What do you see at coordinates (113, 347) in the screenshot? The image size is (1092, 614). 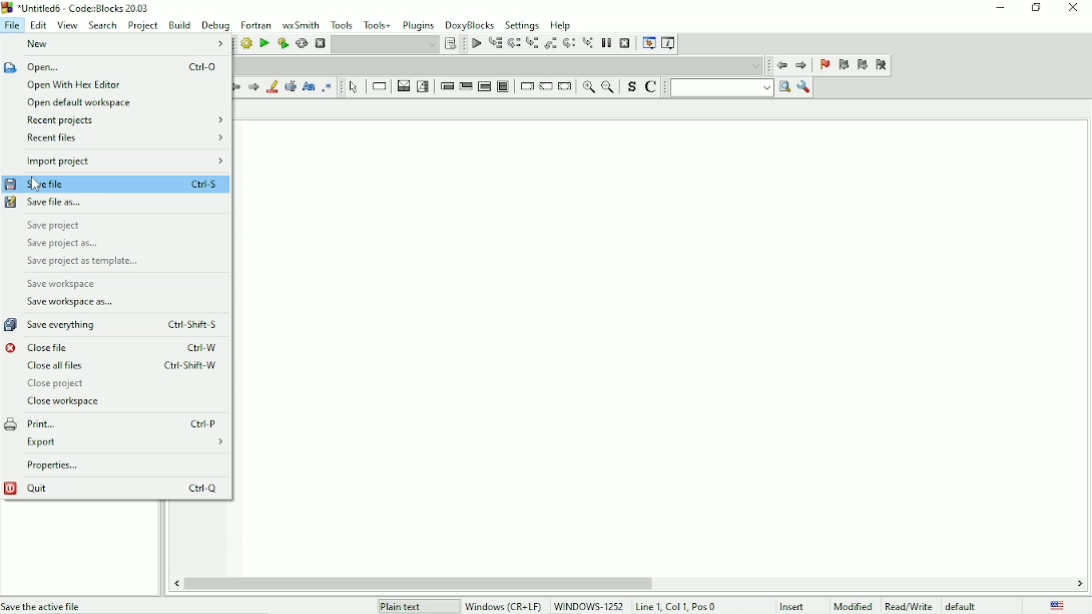 I see `Close file` at bounding box center [113, 347].